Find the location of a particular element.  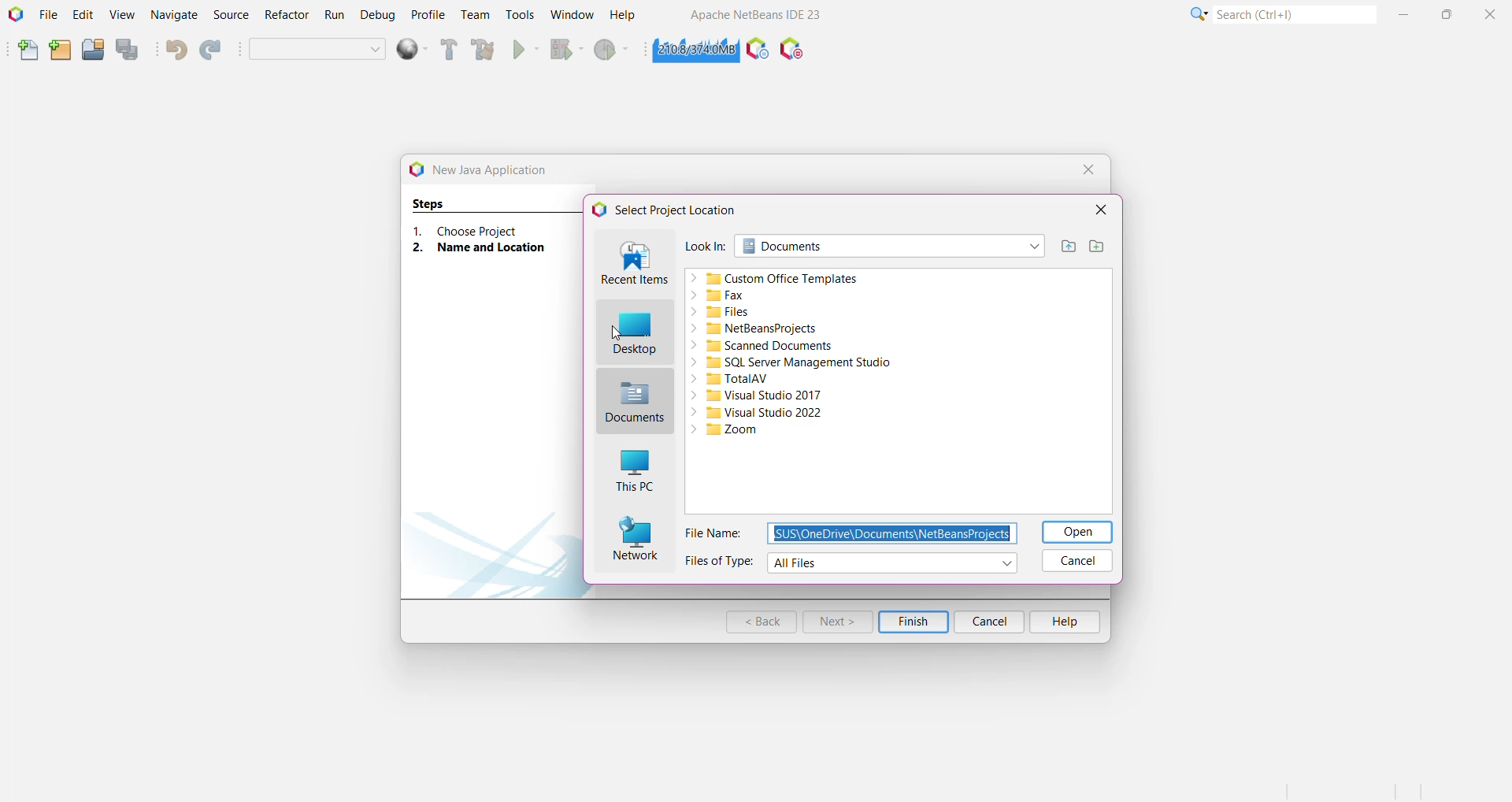

Run Project is located at coordinates (525, 50).